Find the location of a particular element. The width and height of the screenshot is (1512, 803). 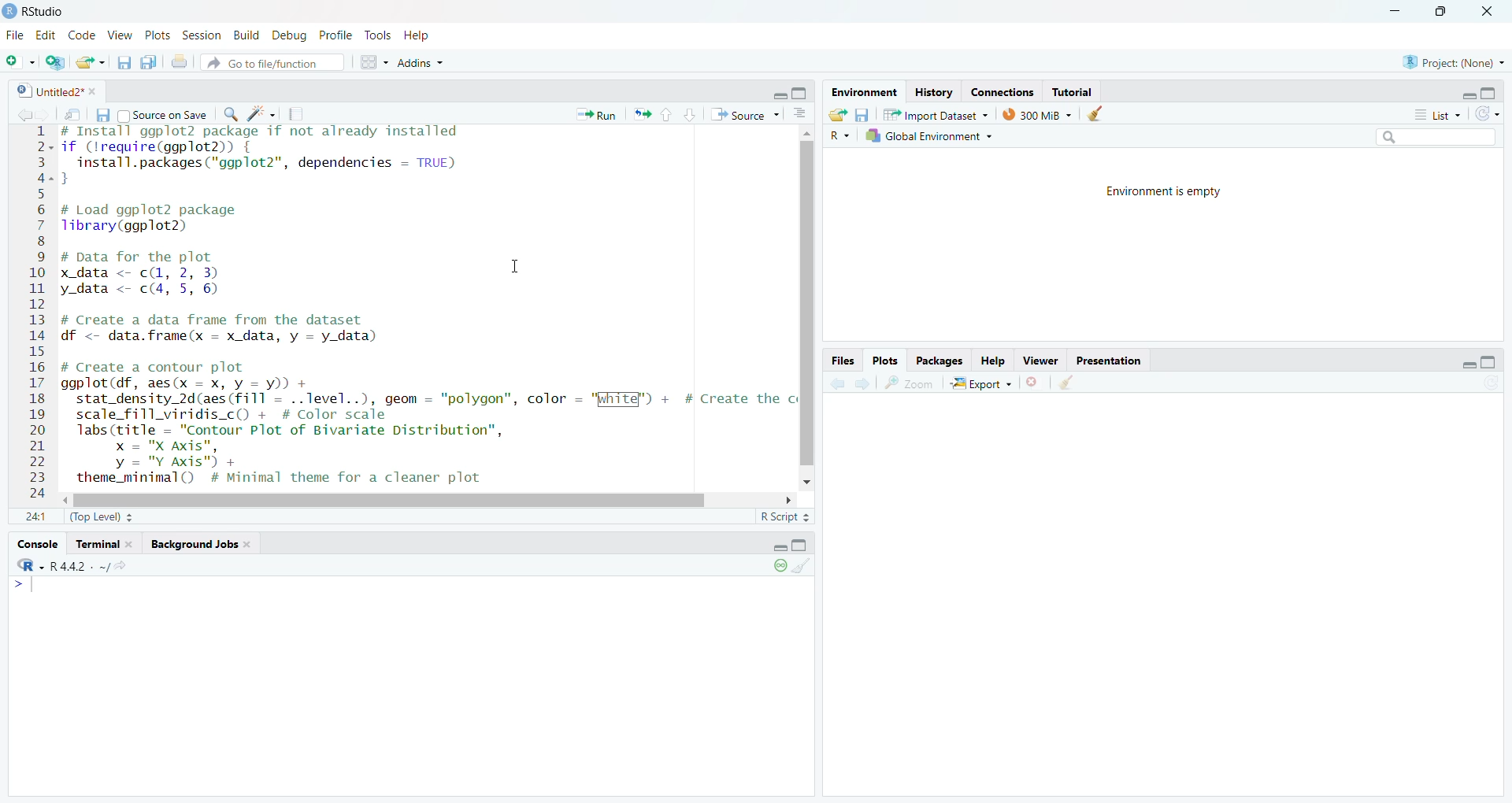

compile reports is located at coordinates (296, 115).